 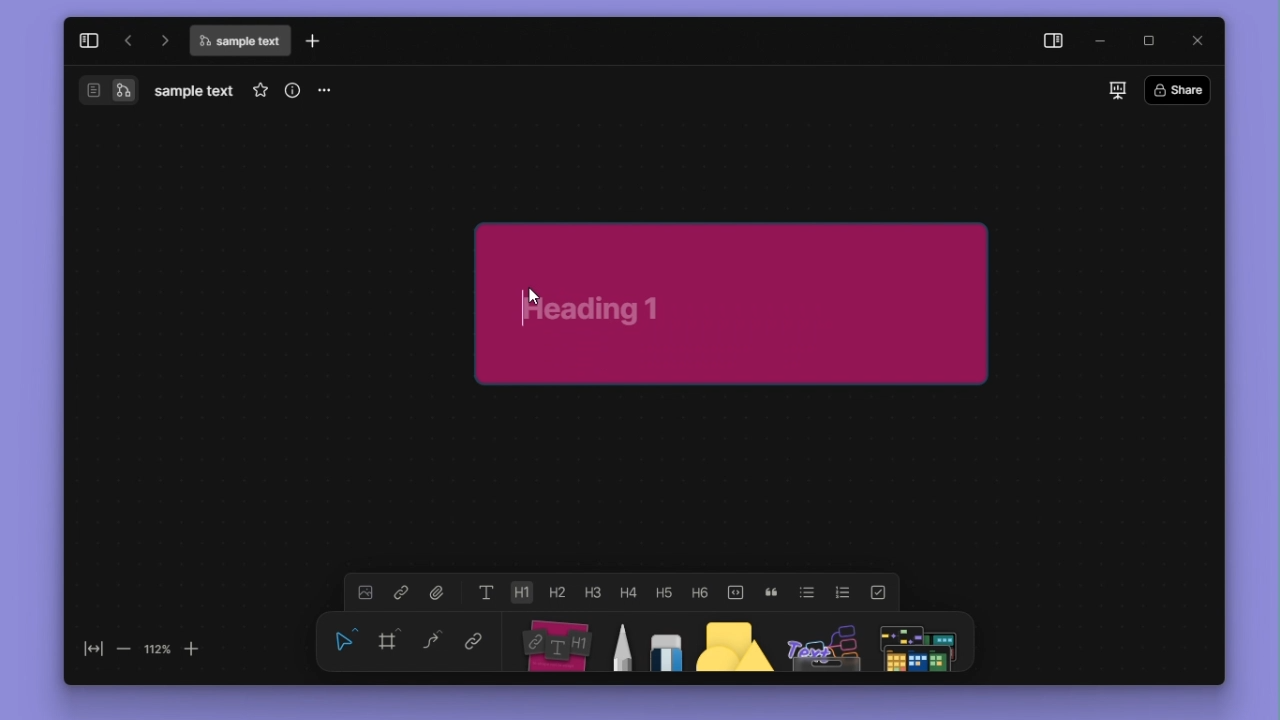 What do you see at coordinates (1102, 42) in the screenshot?
I see `minimize` at bounding box center [1102, 42].